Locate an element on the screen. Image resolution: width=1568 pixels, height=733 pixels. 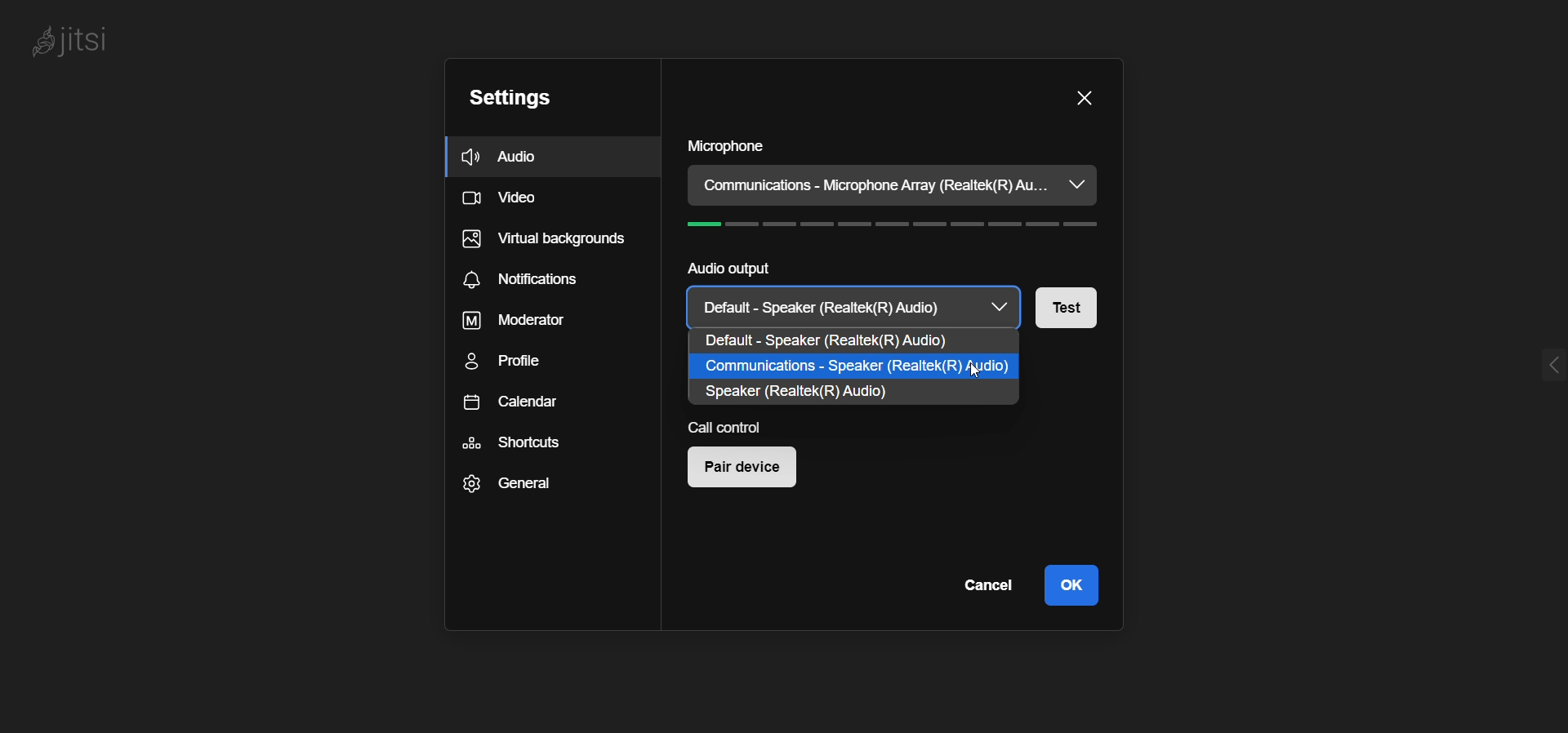
audio output is located at coordinates (725, 269).